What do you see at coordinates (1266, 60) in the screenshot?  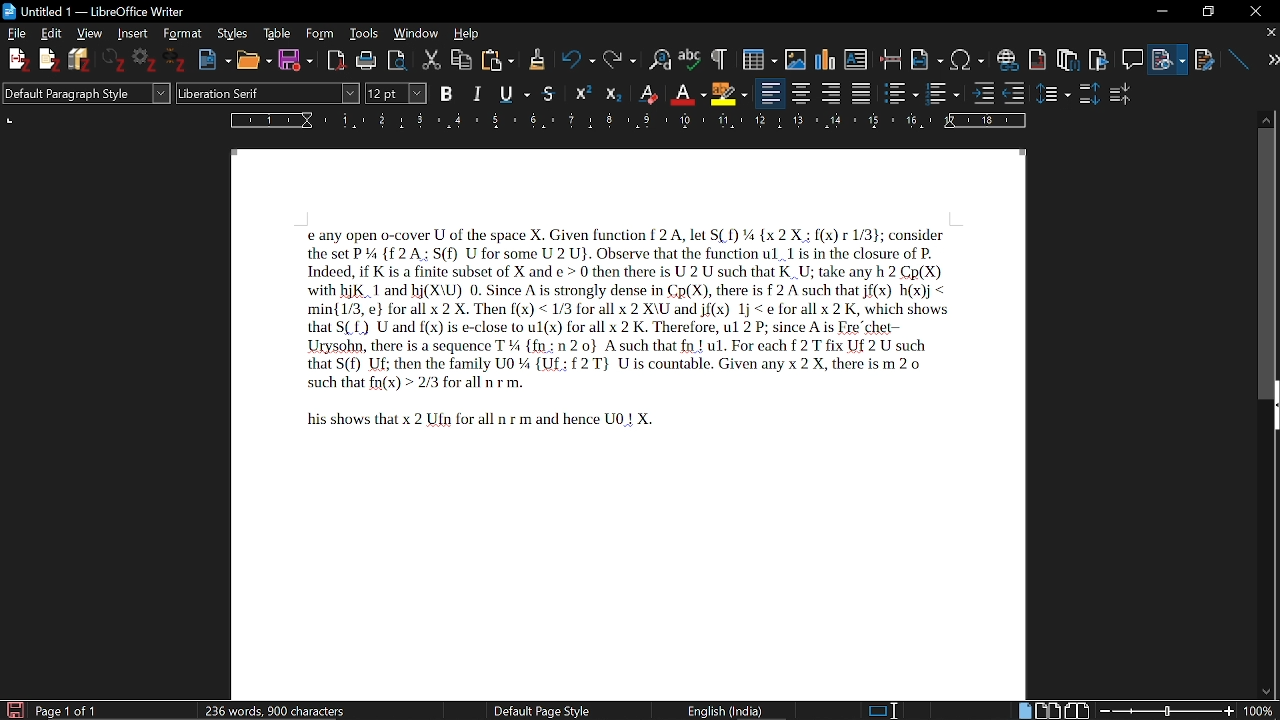 I see `next` at bounding box center [1266, 60].